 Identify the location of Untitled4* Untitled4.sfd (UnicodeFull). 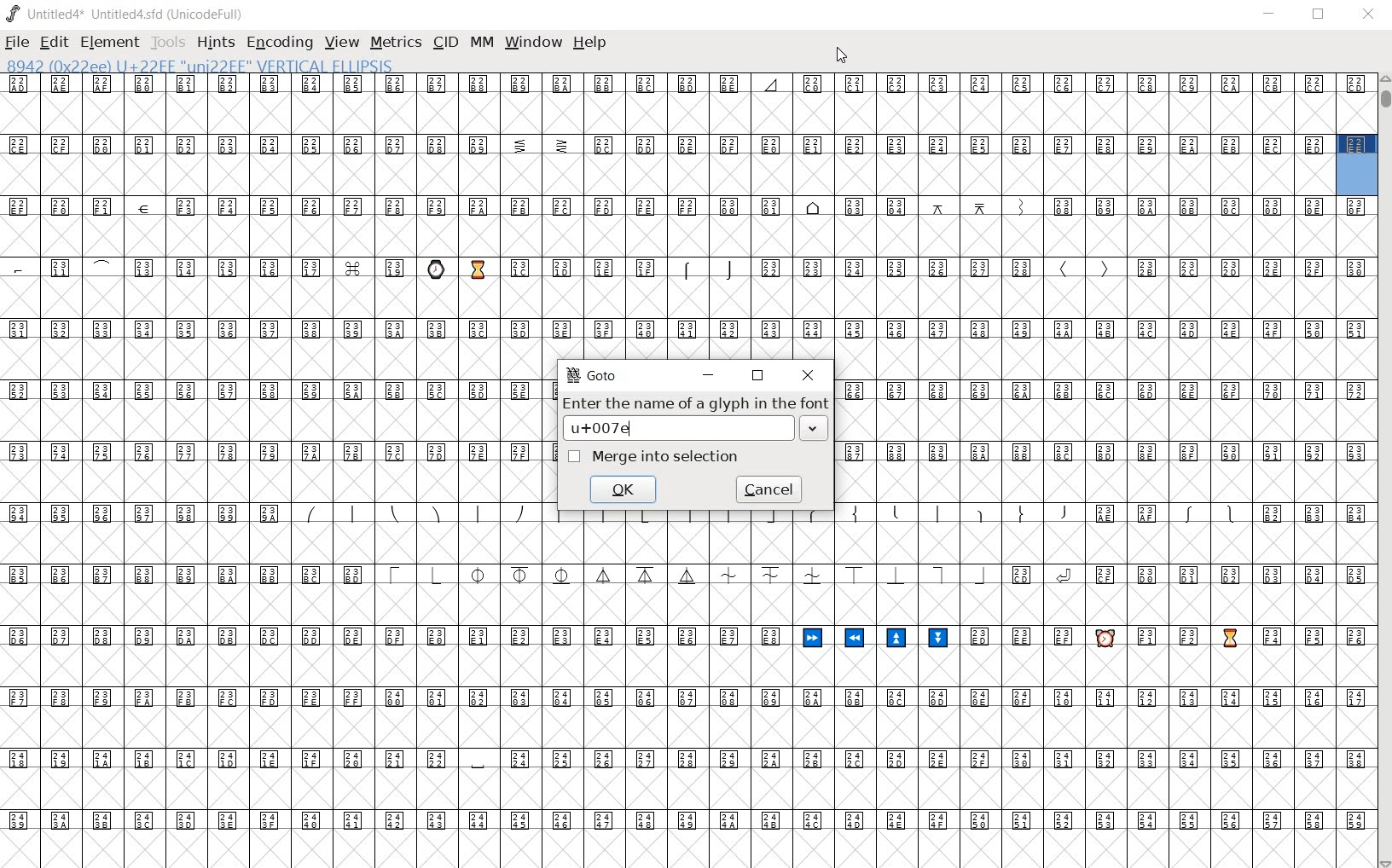
(125, 14).